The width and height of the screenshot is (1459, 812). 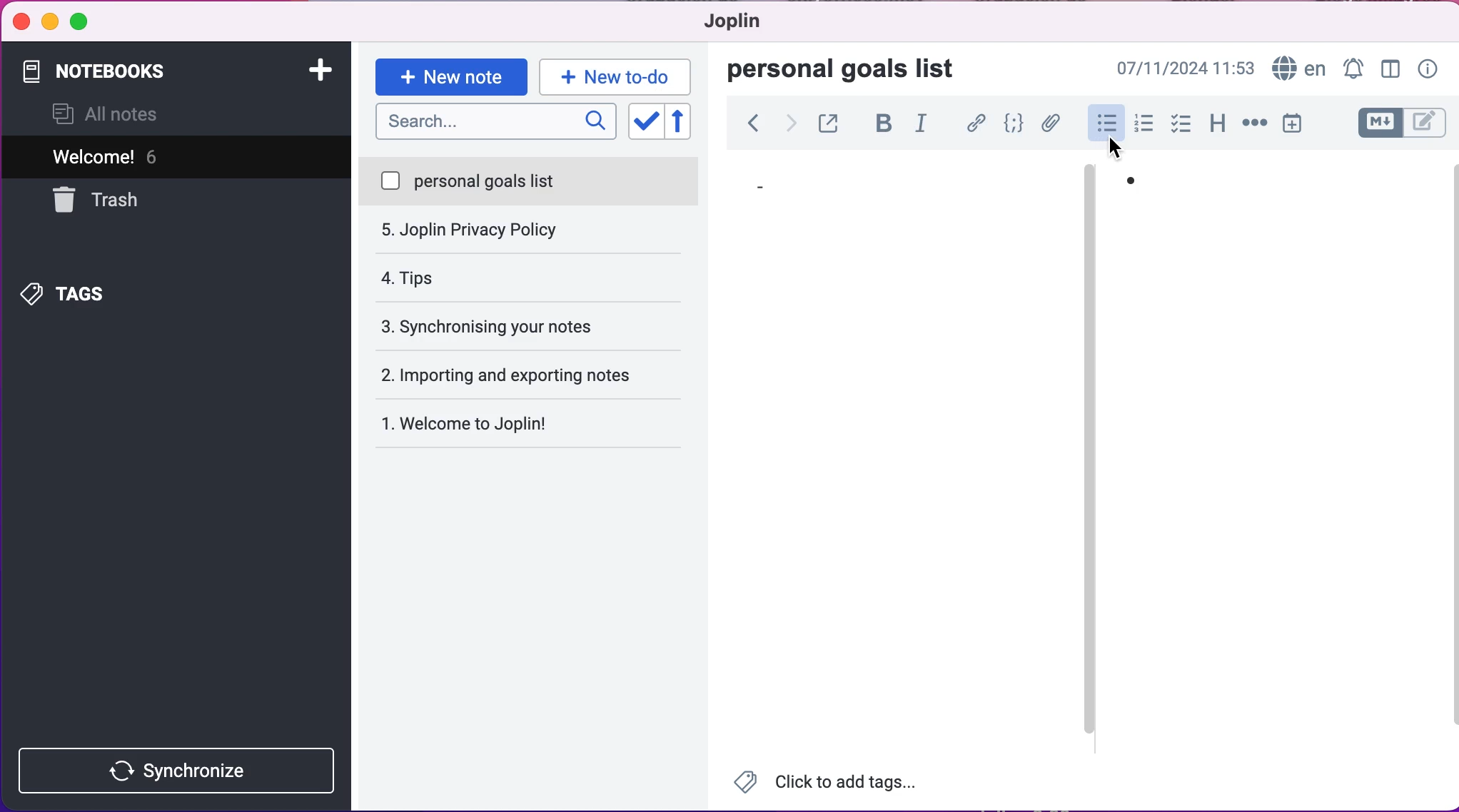 What do you see at coordinates (494, 123) in the screenshot?
I see `search` at bounding box center [494, 123].